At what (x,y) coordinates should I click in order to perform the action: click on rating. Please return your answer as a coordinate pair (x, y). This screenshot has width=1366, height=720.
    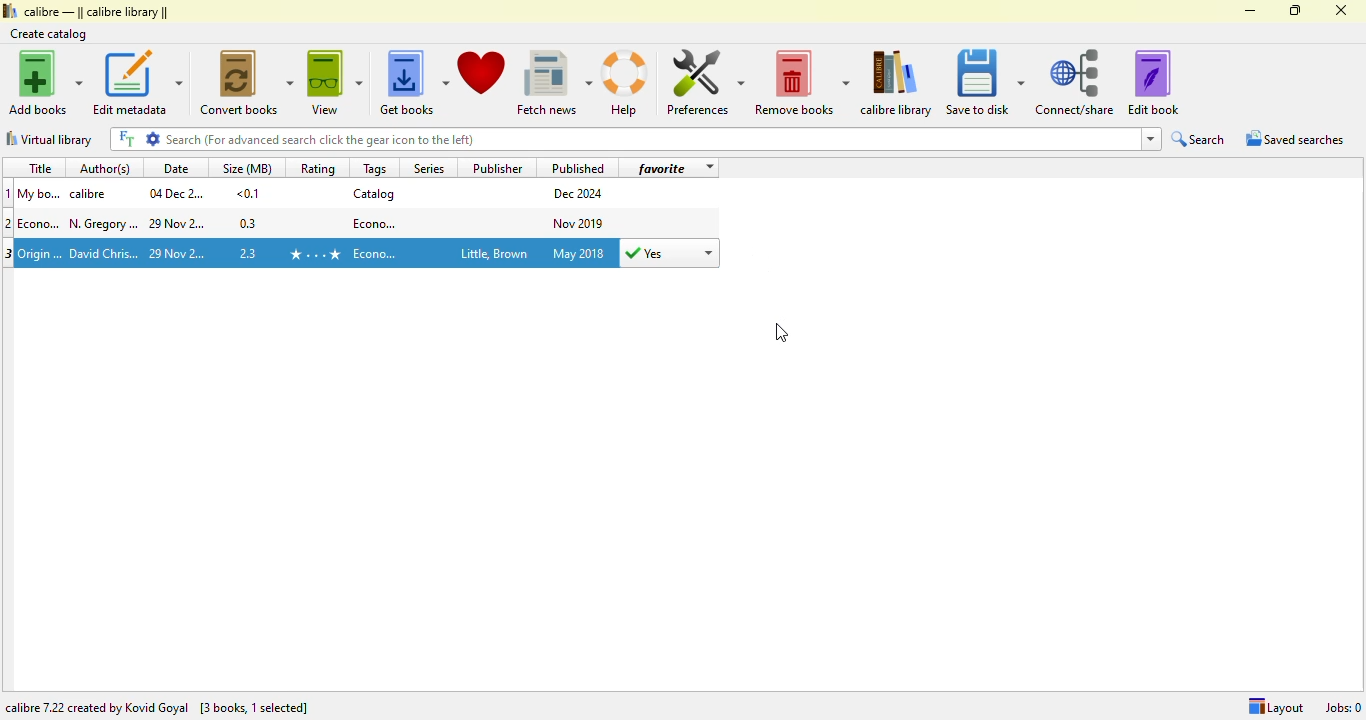
    Looking at the image, I should click on (317, 168).